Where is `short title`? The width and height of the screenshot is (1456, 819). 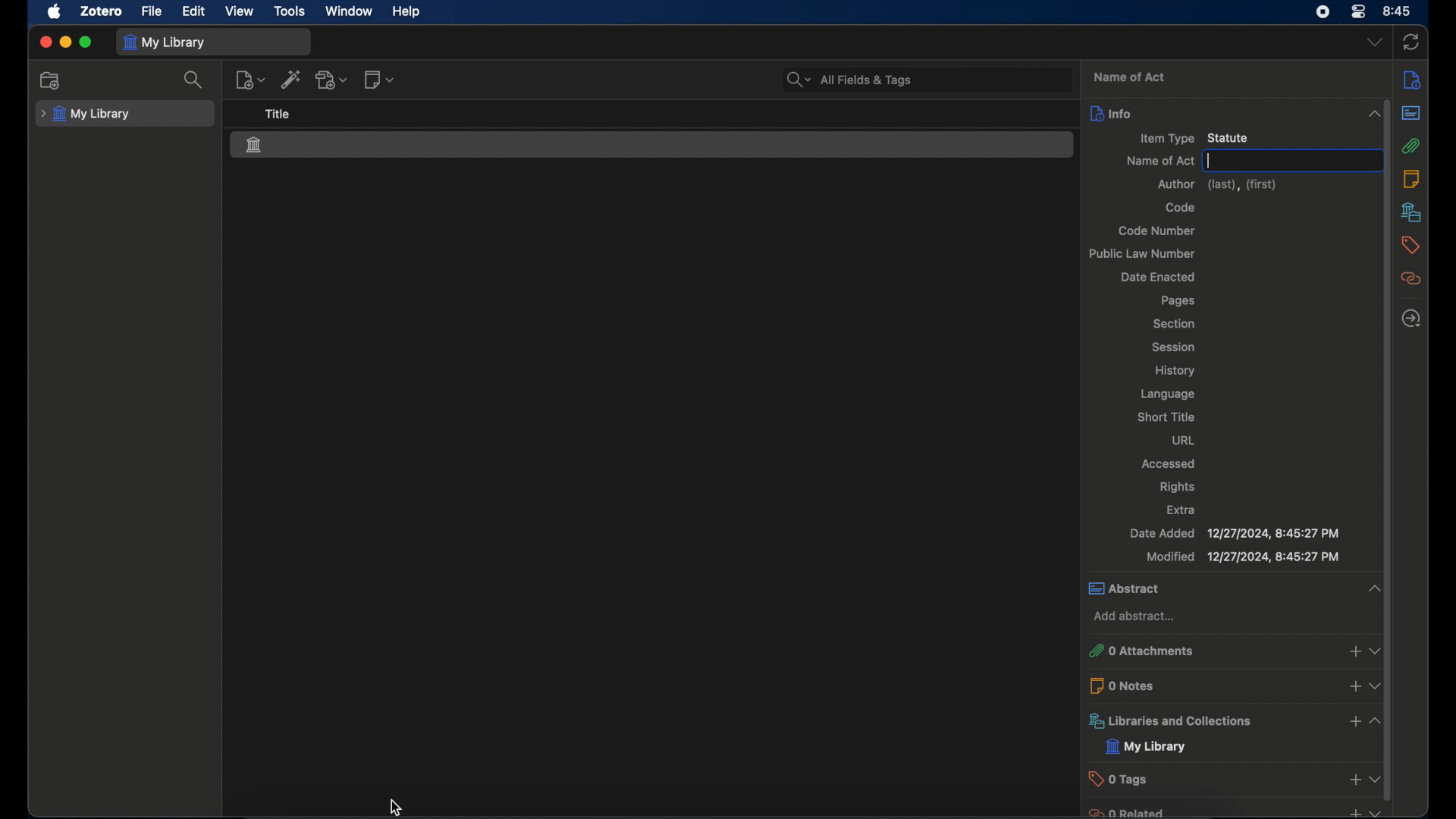 short title is located at coordinates (1170, 416).